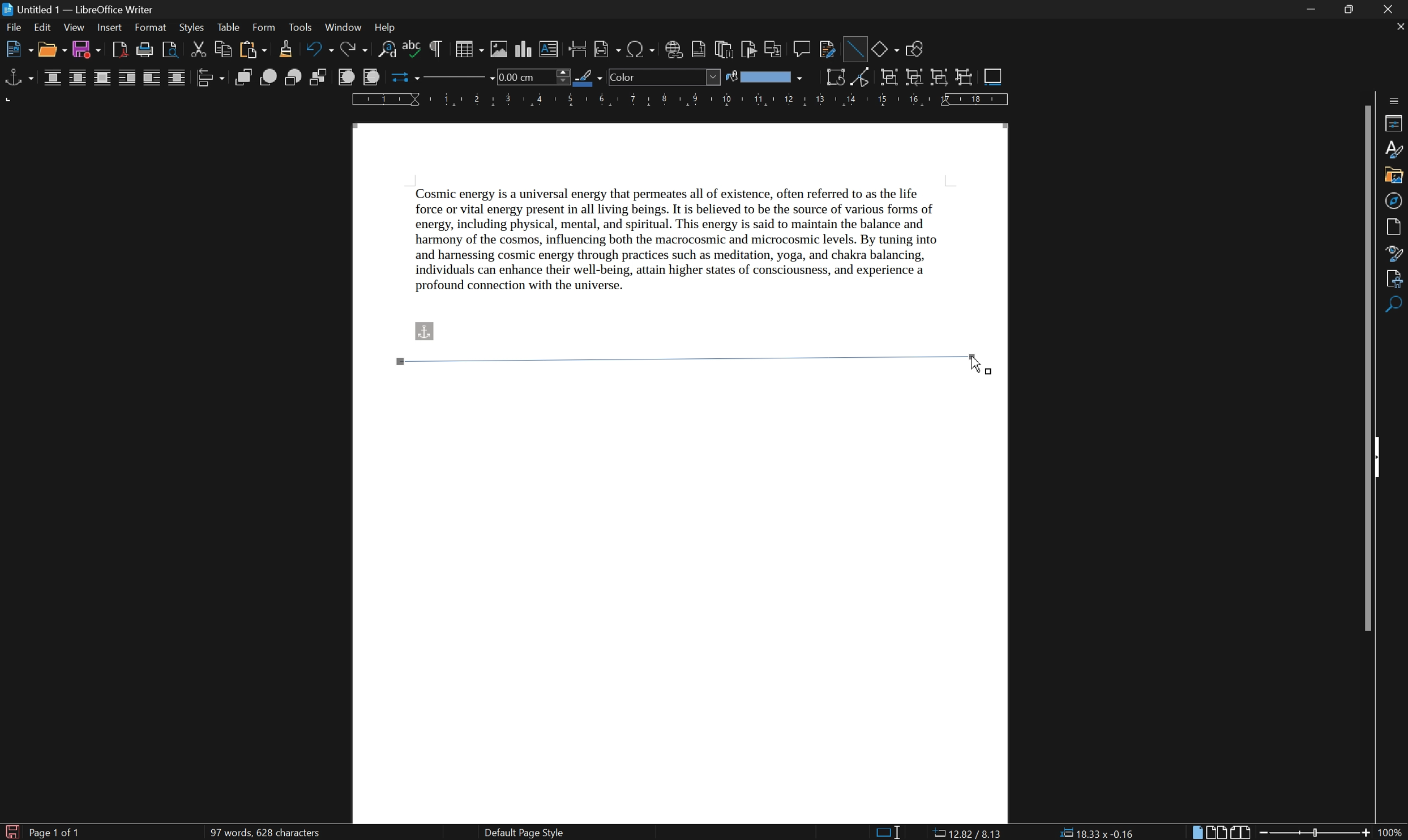  I want to click on help, so click(388, 28).